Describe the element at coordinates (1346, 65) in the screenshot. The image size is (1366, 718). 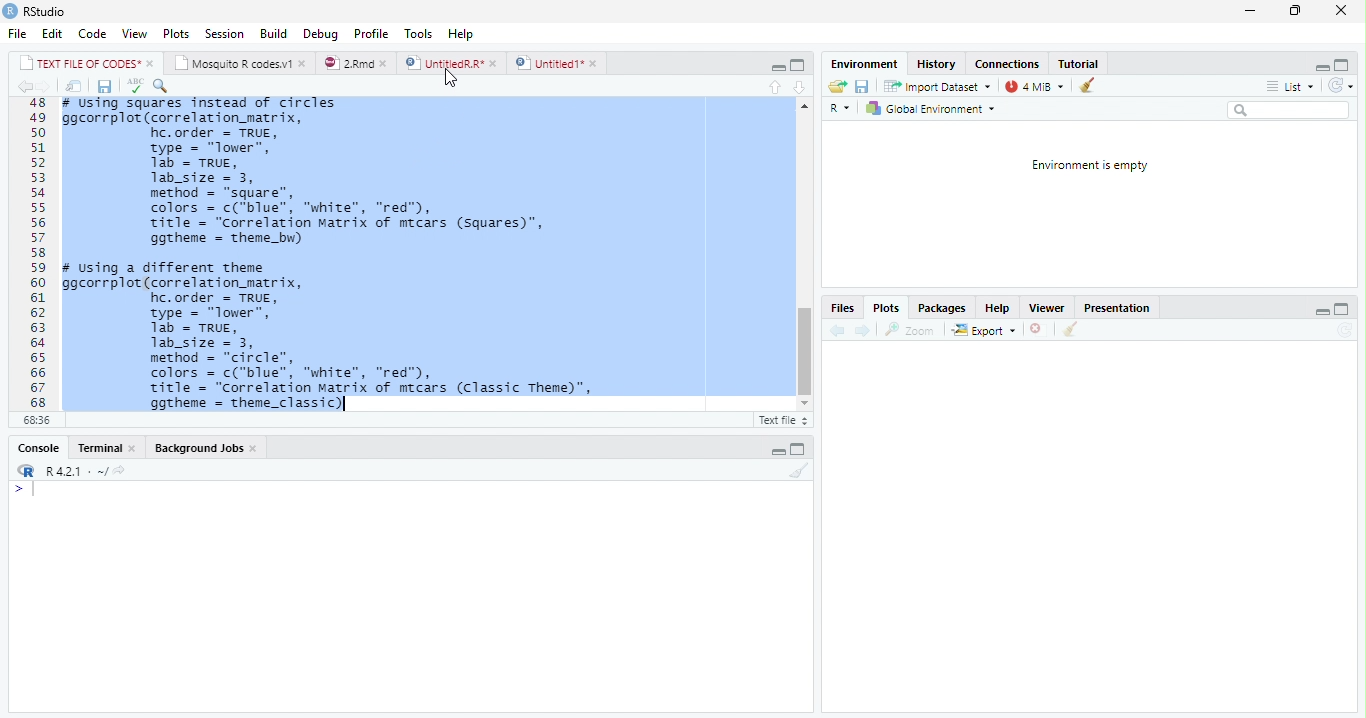
I see `hide console` at that location.